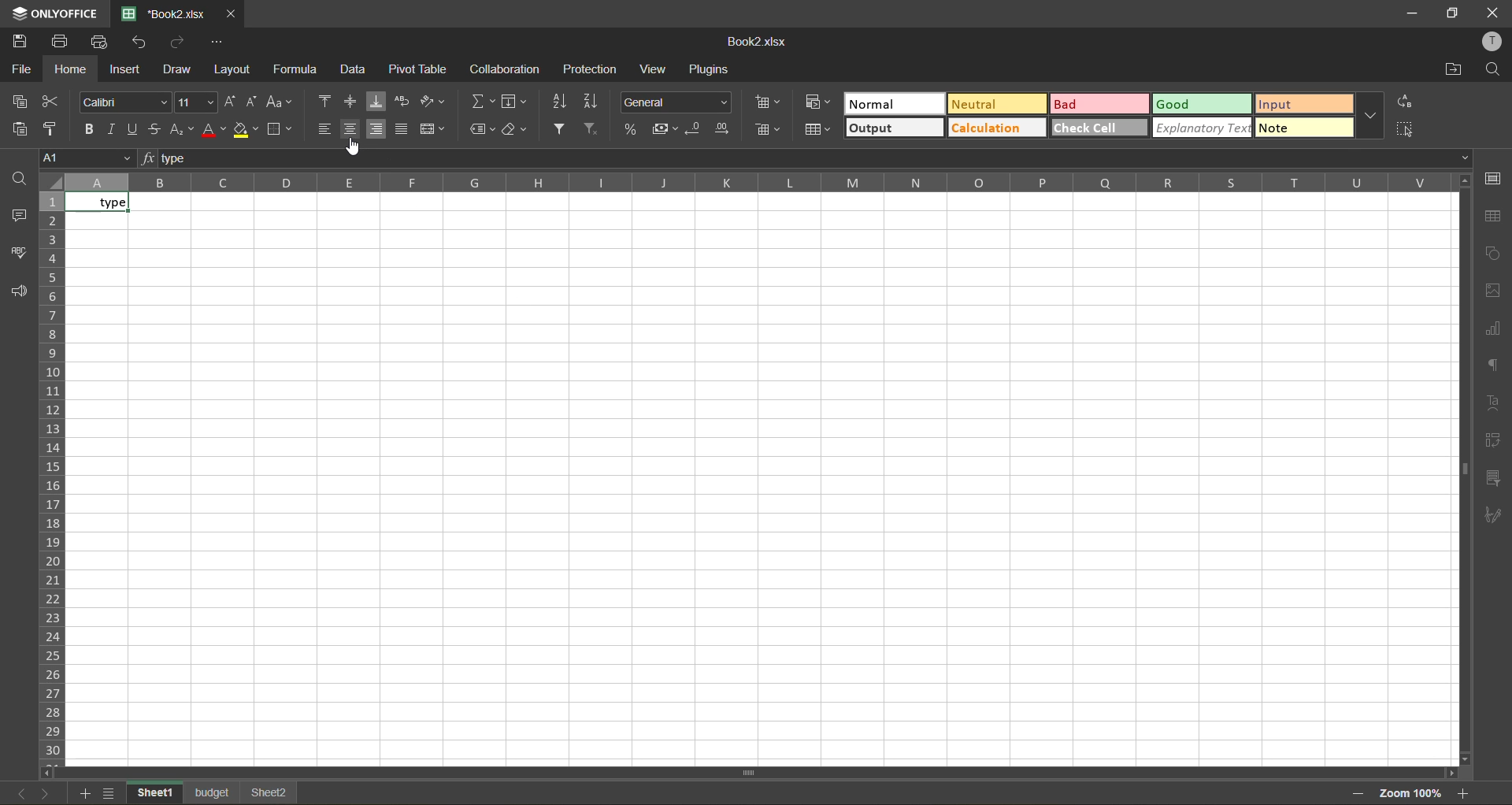 The height and width of the screenshot is (805, 1512). What do you see at coordinates (1495, 444) in the screenshot?
I see `pivot table` at bounding box center [1495, 444].